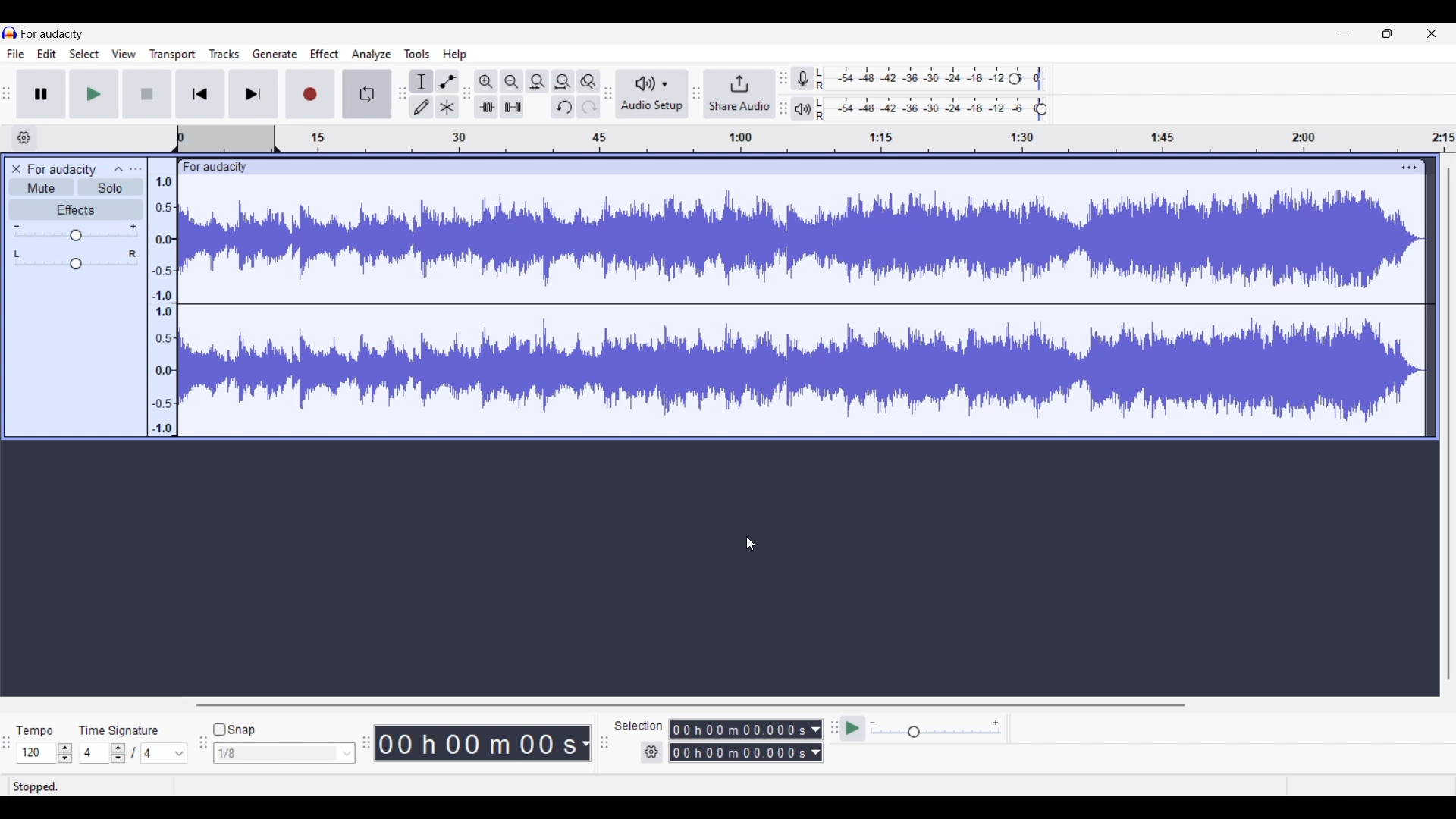  What do you see at coordinates (310, 94) in the screenshot?
I see `Record/Record new track` at bounding box center [310, 94].